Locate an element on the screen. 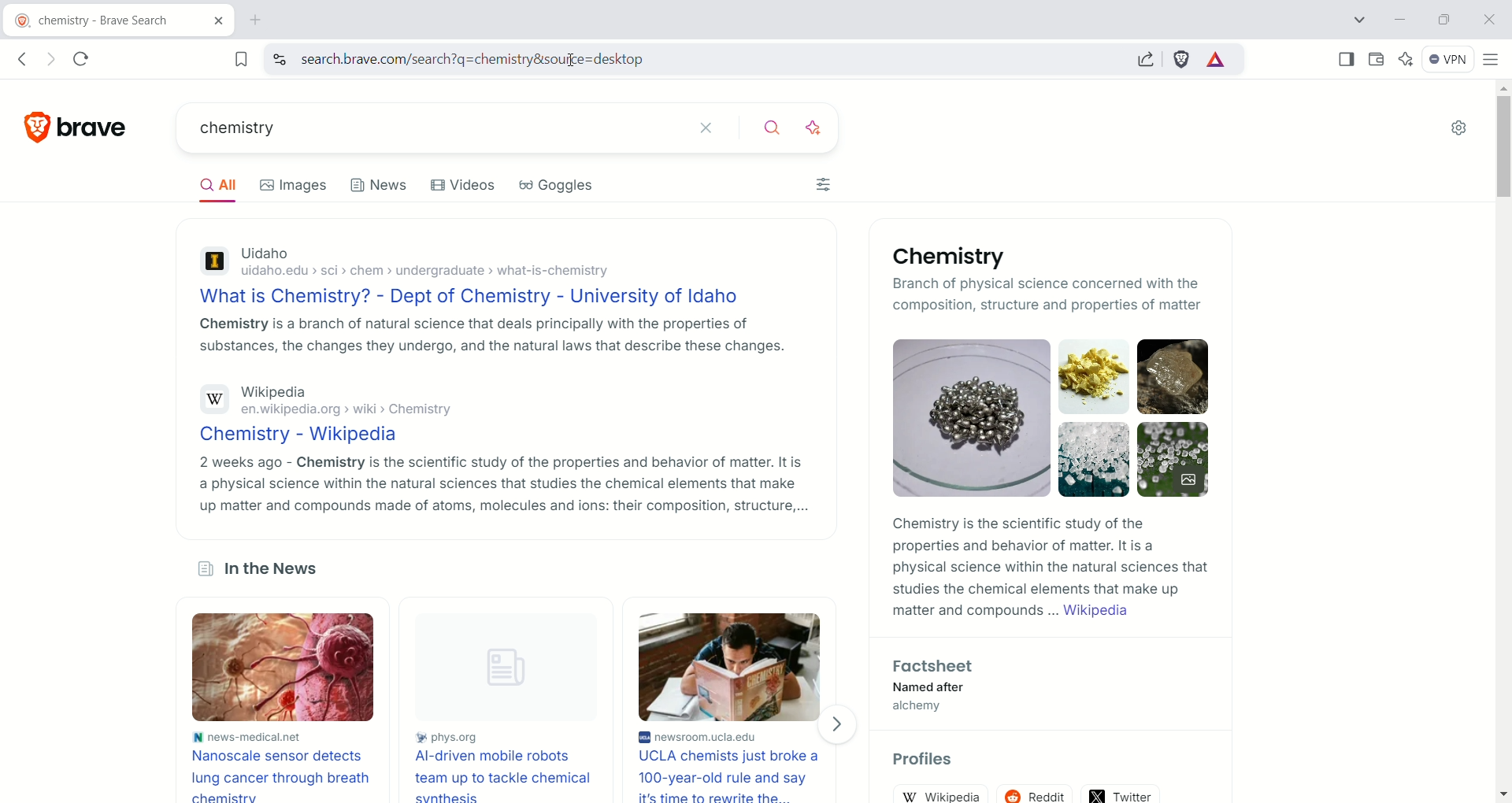  rewards is located at coordinates (1218, 60).